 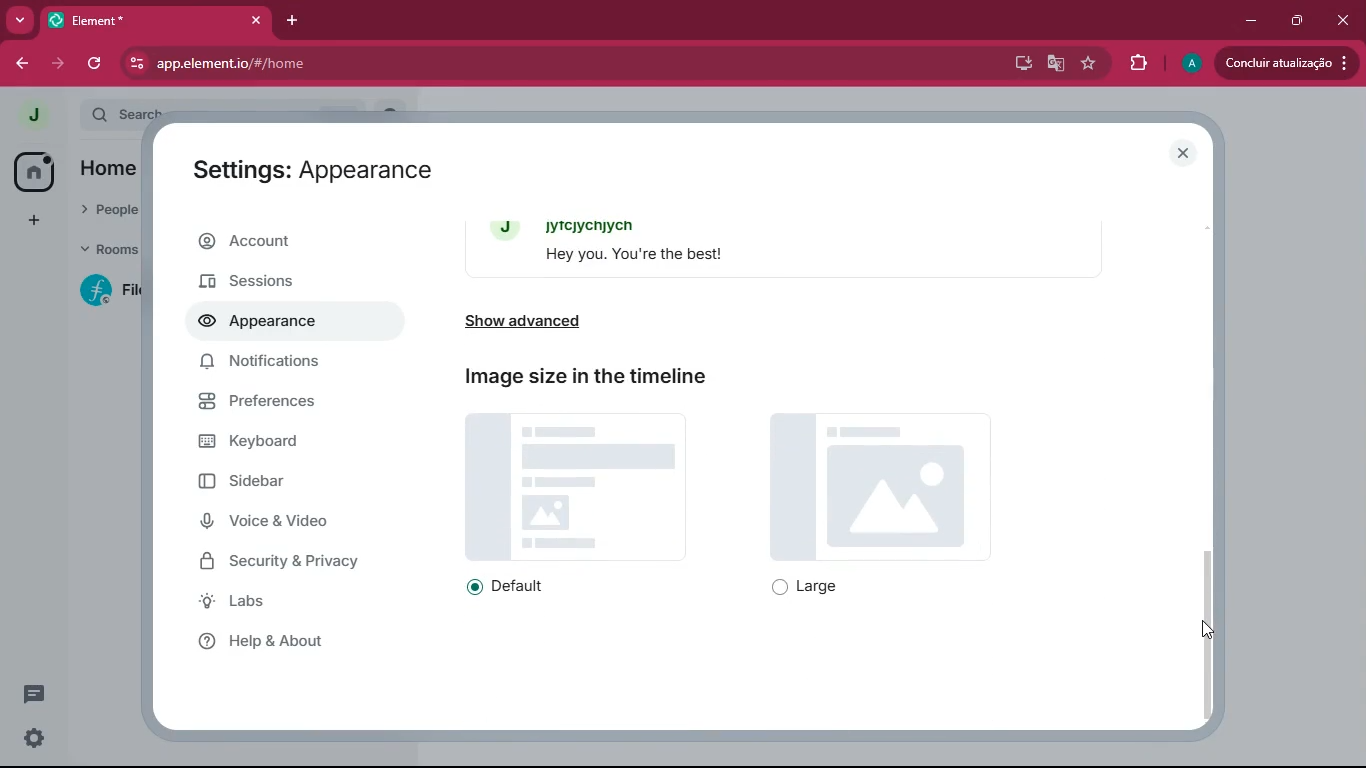 What do you see at coordinates (1056, 66) in the screenshot?
I see `google translate` at bounding box center [1056, 66].